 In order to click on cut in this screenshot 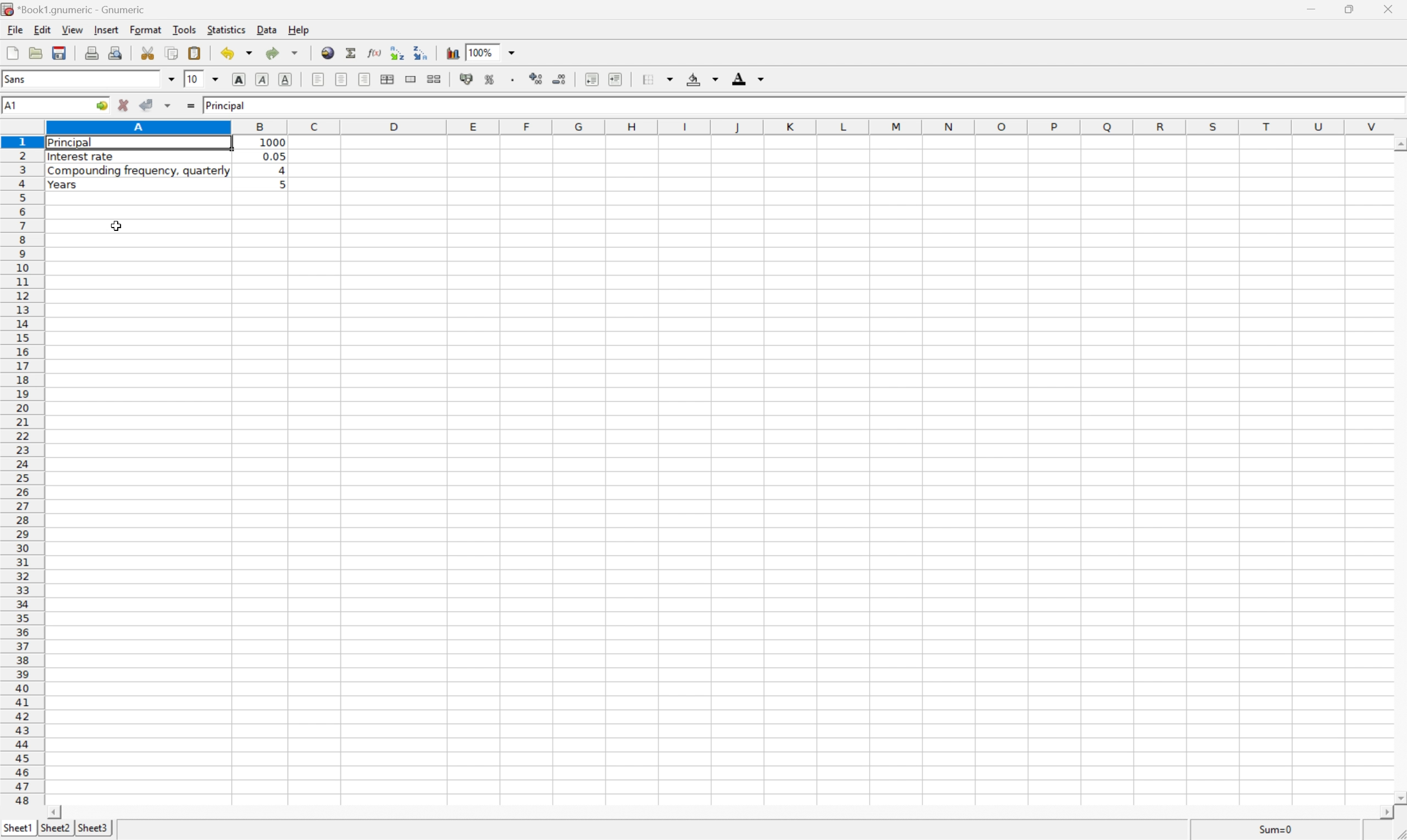, I will do `click(147, 53)`.